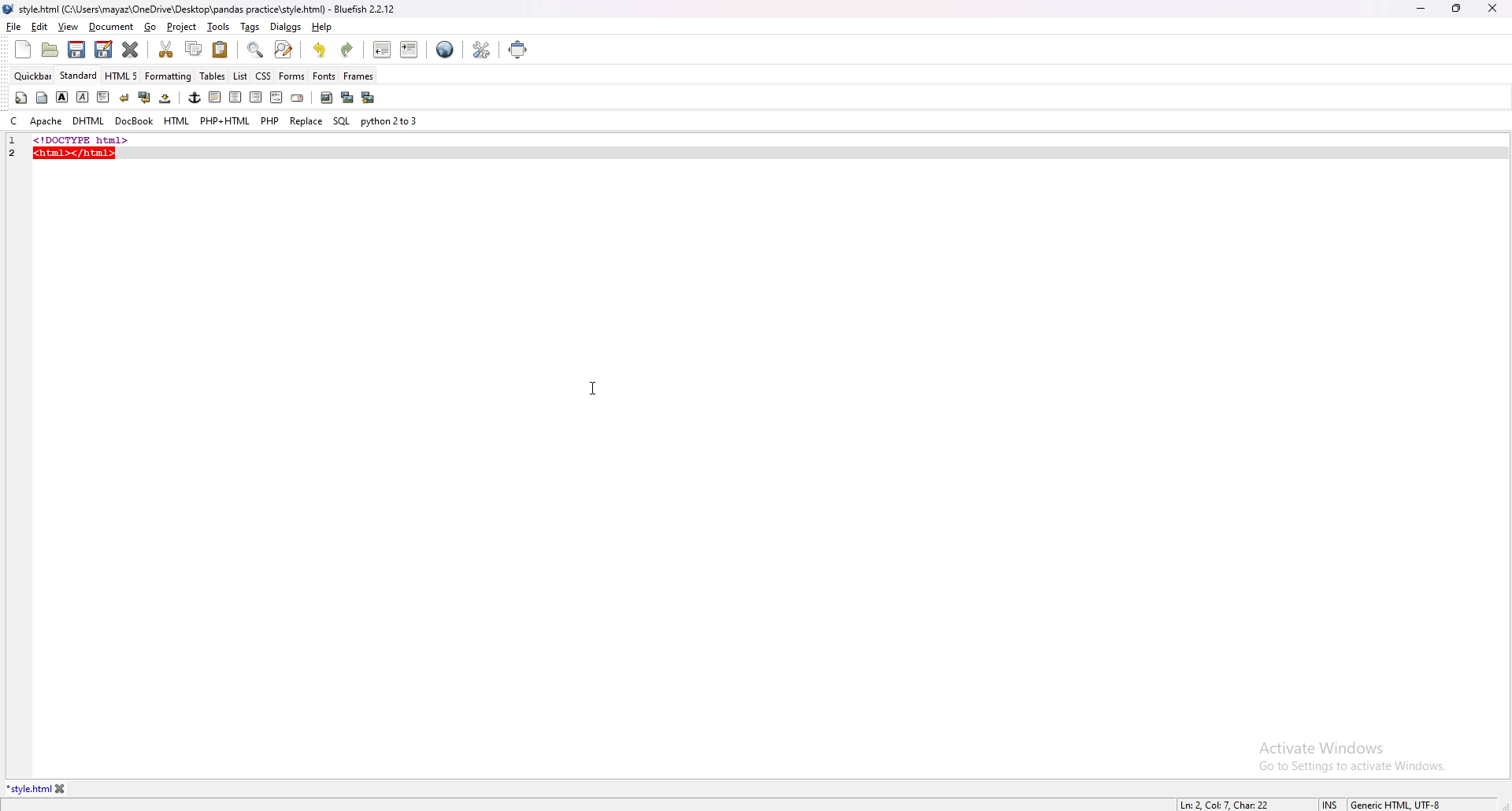  I want to click on email, so click(297, 98).